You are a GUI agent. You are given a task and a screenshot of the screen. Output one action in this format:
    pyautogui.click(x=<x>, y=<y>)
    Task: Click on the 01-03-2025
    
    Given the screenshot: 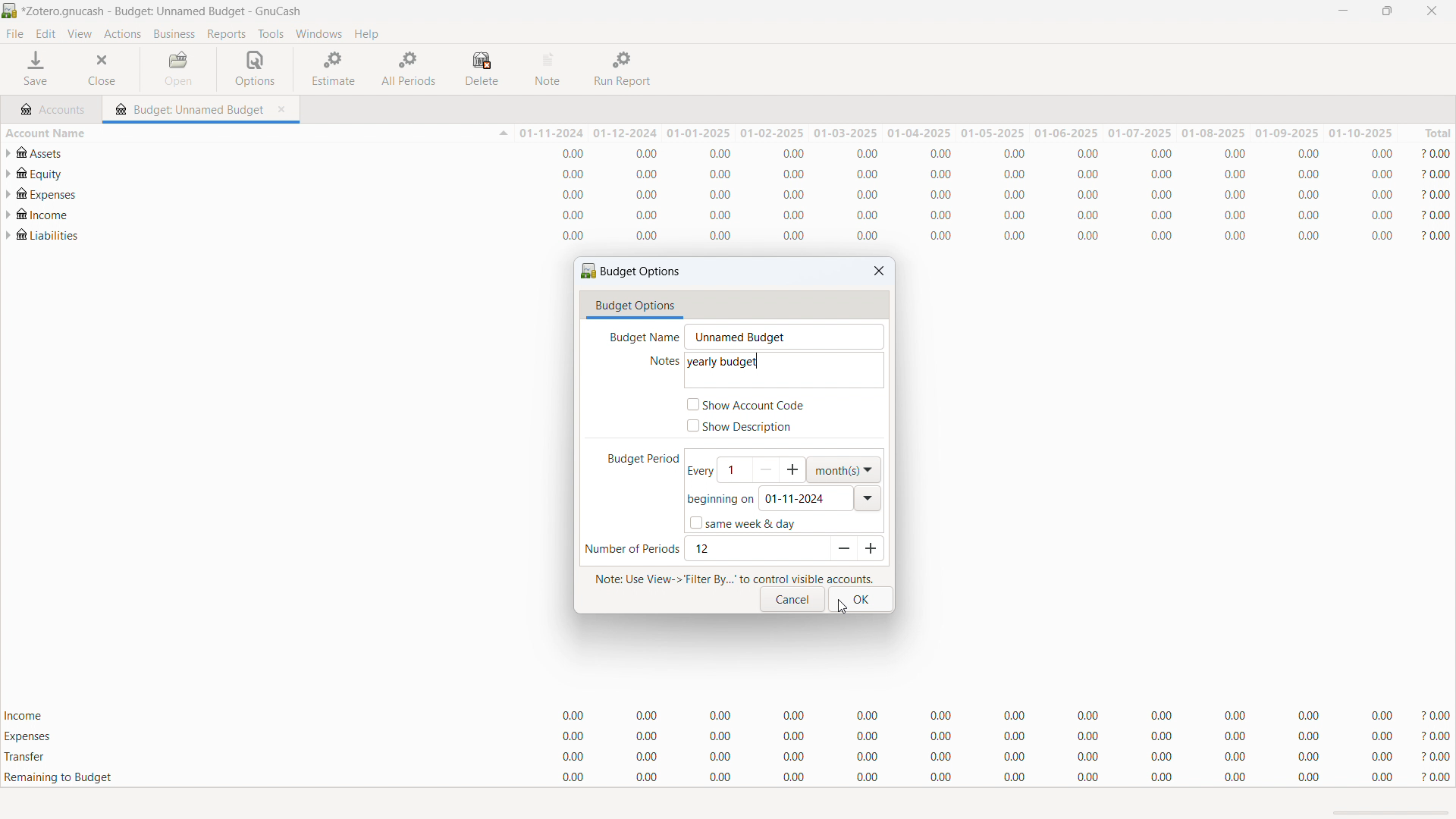 What is the action you would take?
    pyautogui.click(x=844, y=132)
    